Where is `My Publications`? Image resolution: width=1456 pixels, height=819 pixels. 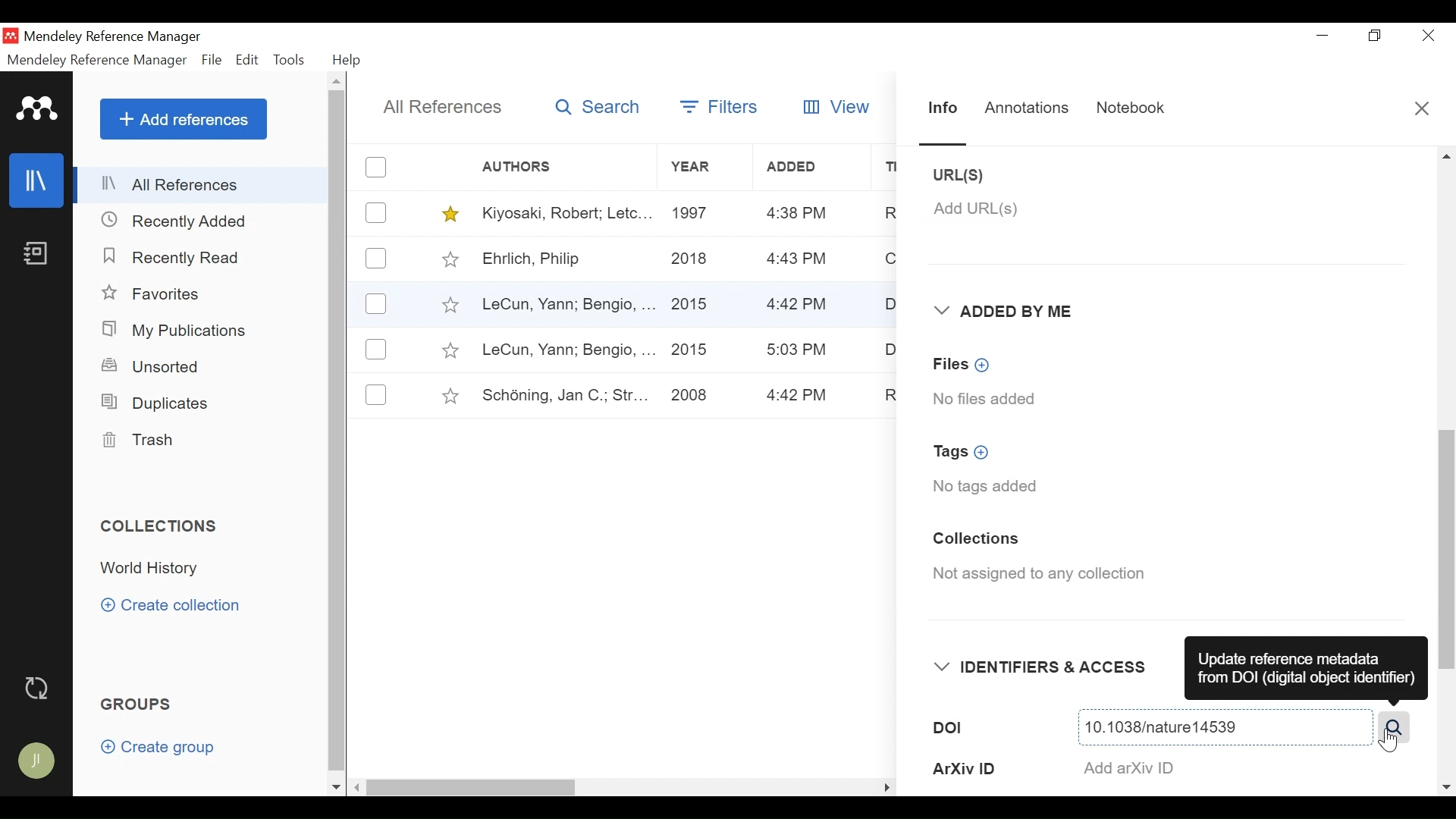 My Publications is located at coordinates (179, 331).